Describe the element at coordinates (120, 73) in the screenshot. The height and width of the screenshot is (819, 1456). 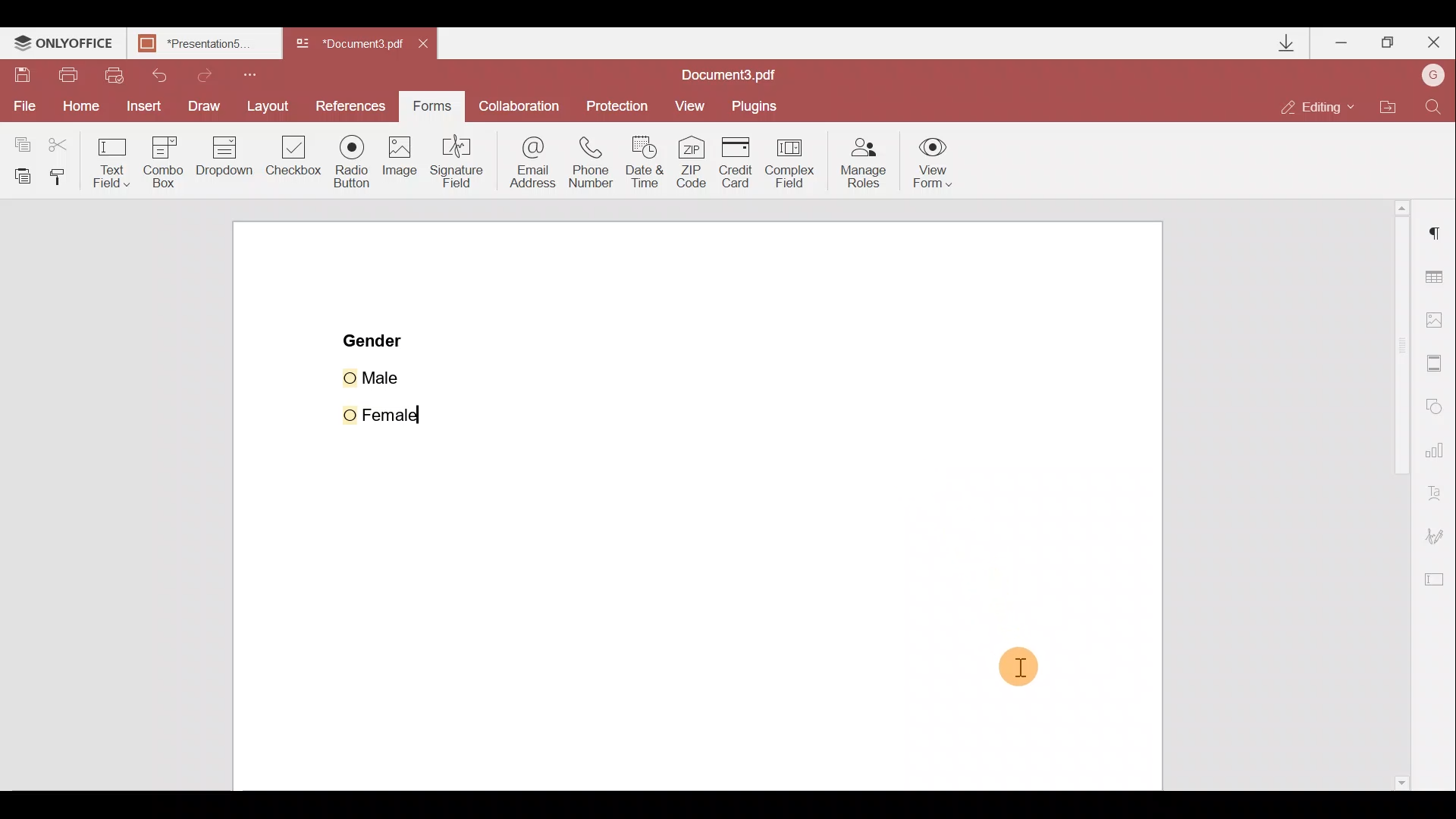
I see `Quick print` at that location.